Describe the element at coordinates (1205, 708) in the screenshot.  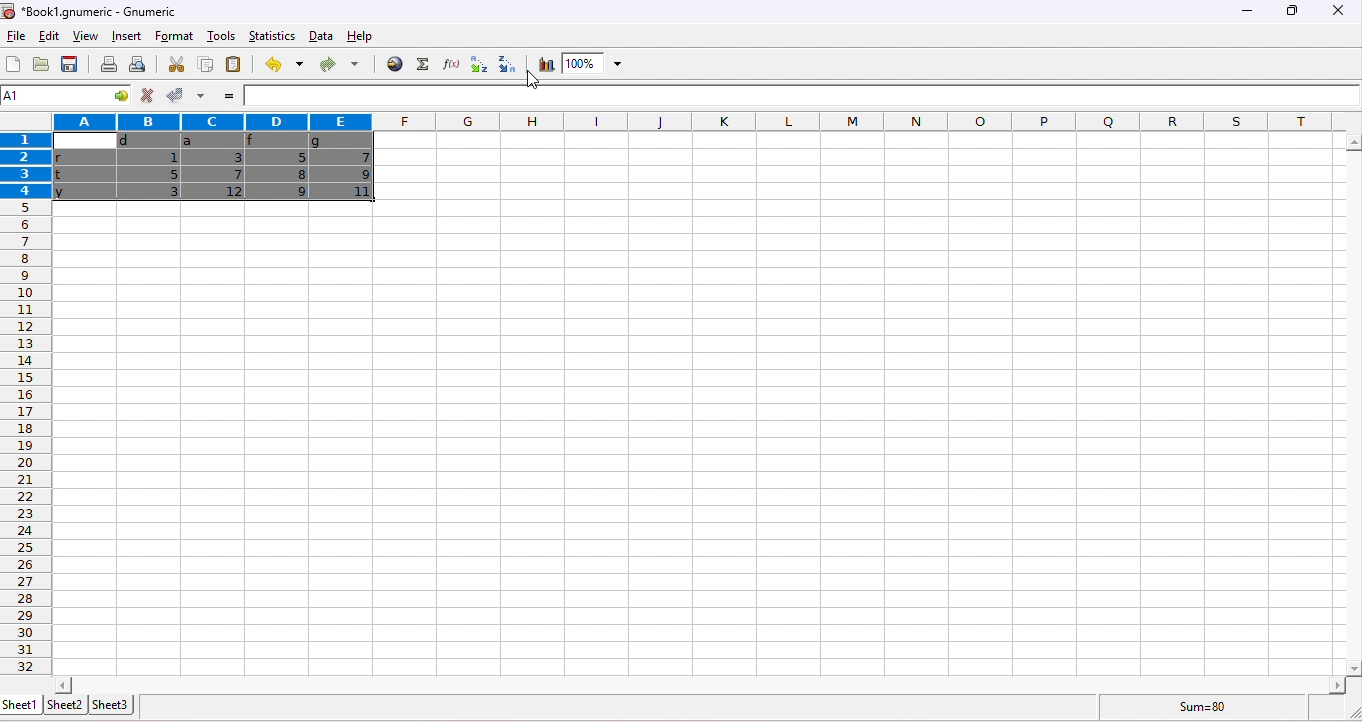
I see `sum=80` at that location.